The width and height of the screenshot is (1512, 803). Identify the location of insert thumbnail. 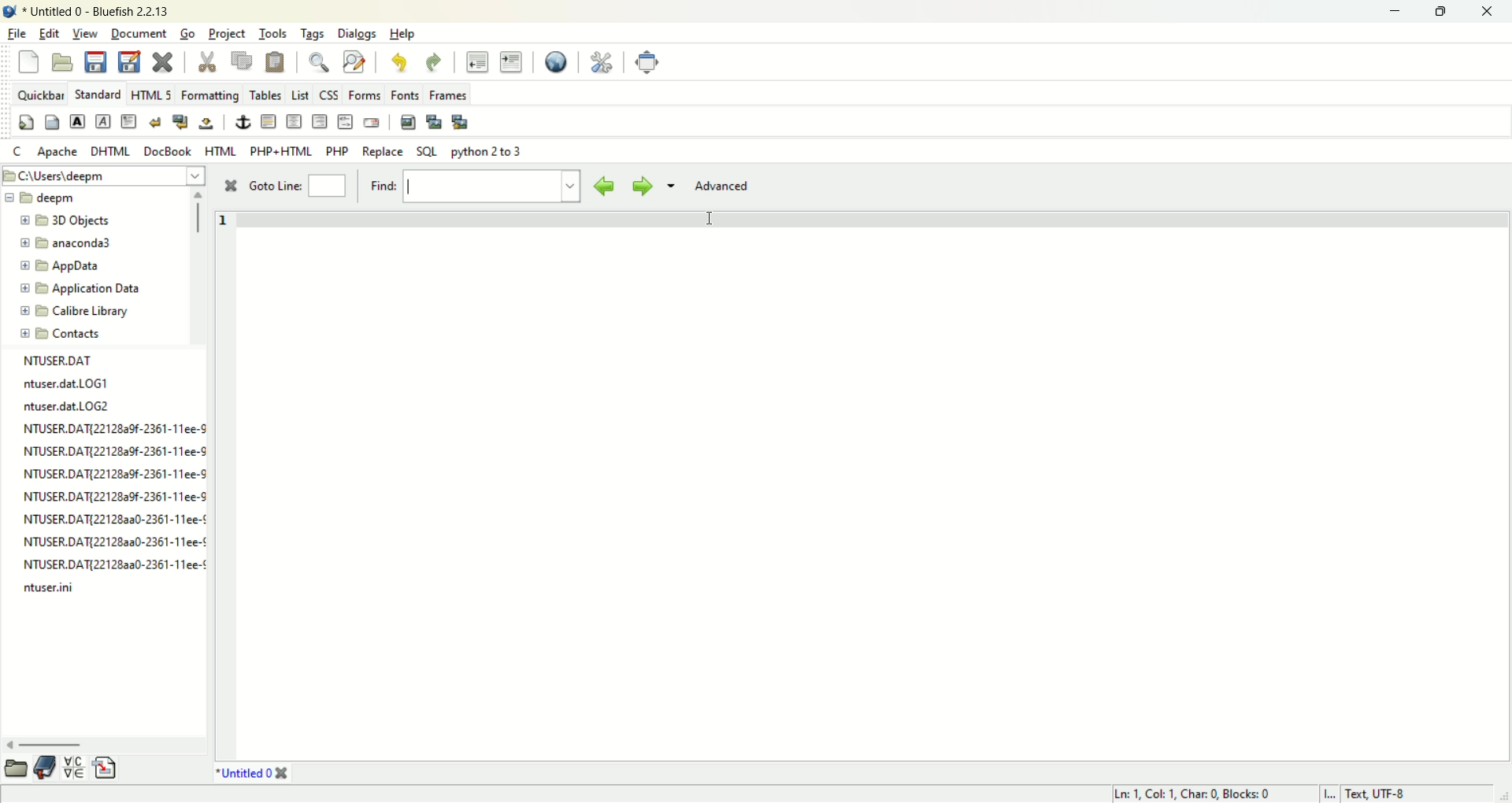
(432, 120).